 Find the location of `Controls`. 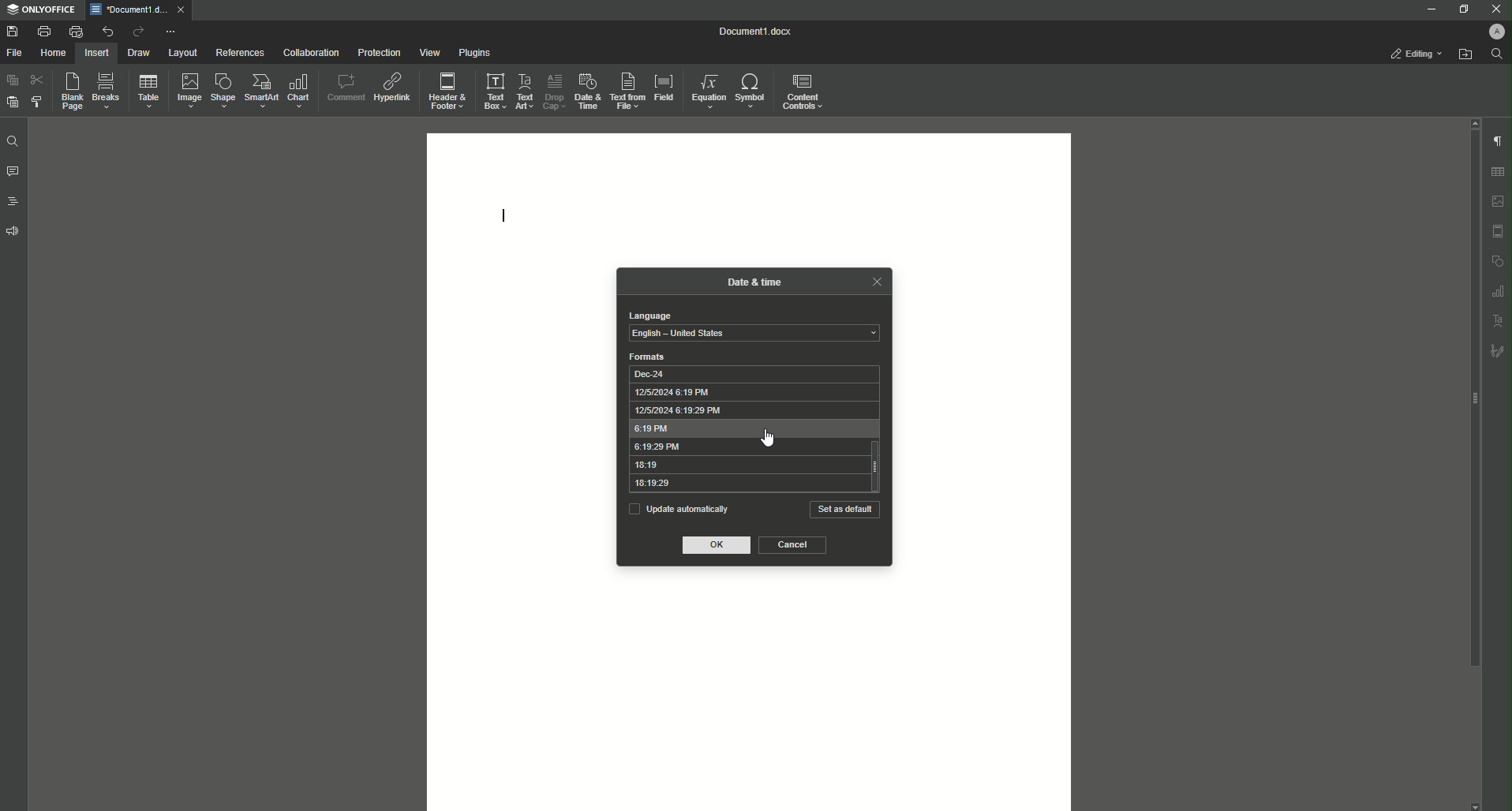

Controls is located at coordinates (806, 91).